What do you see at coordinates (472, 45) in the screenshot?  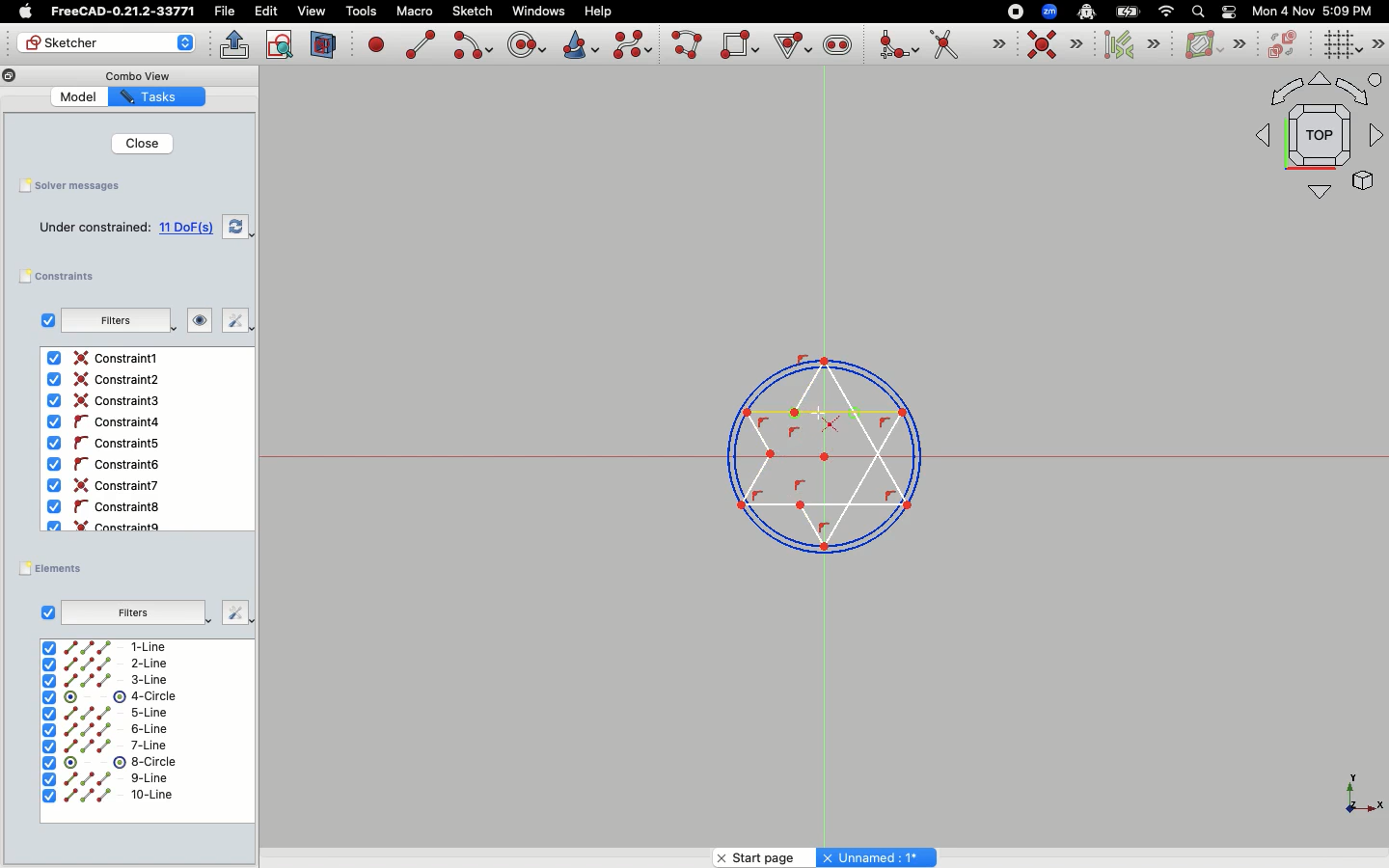 I see `Create arc` at bounding box center [472, 45].